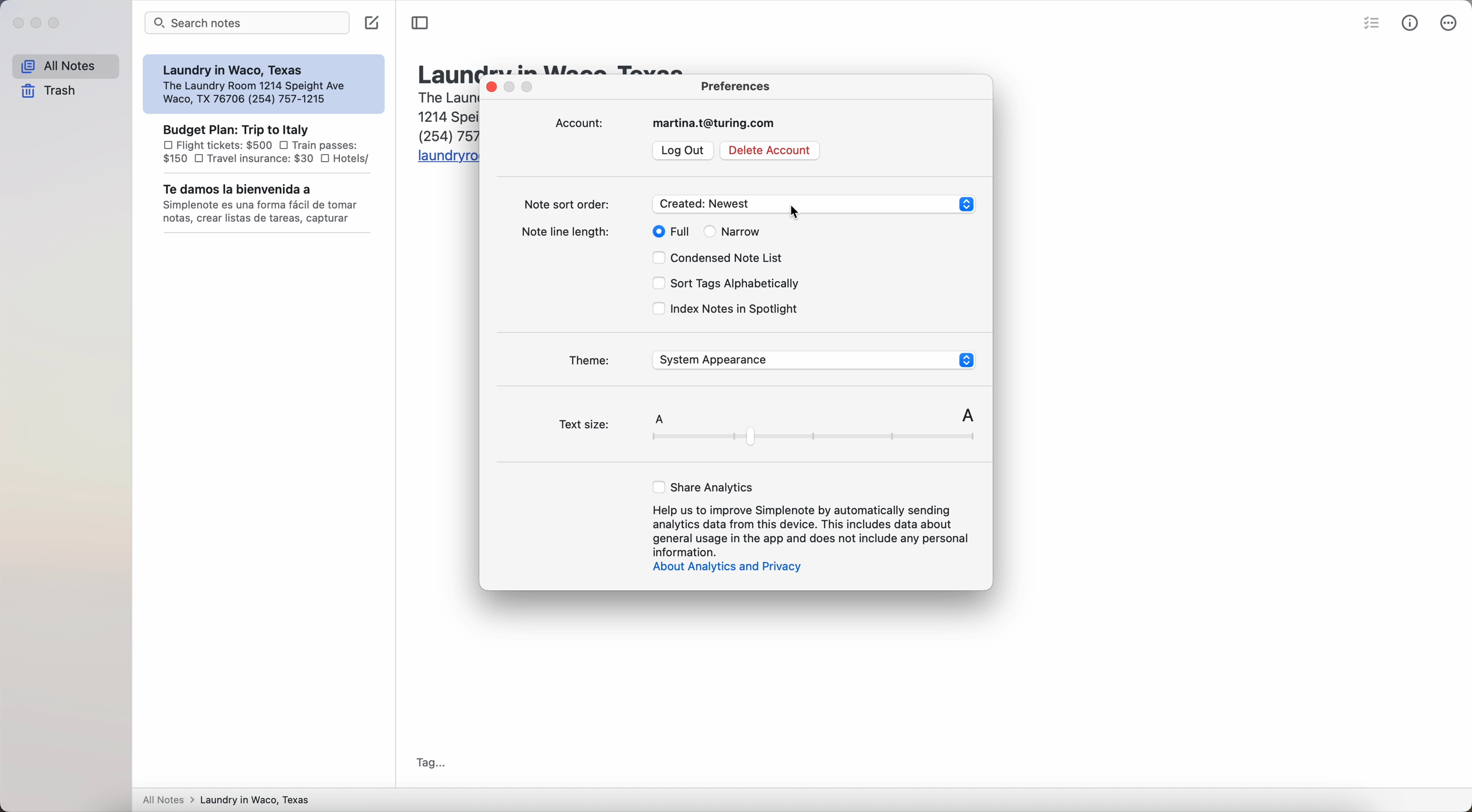 The image size is (1472, 812). What do you see at coordinates (737, 231) in the screenshot?
I see `narrow` at bounding box center [737, 231].